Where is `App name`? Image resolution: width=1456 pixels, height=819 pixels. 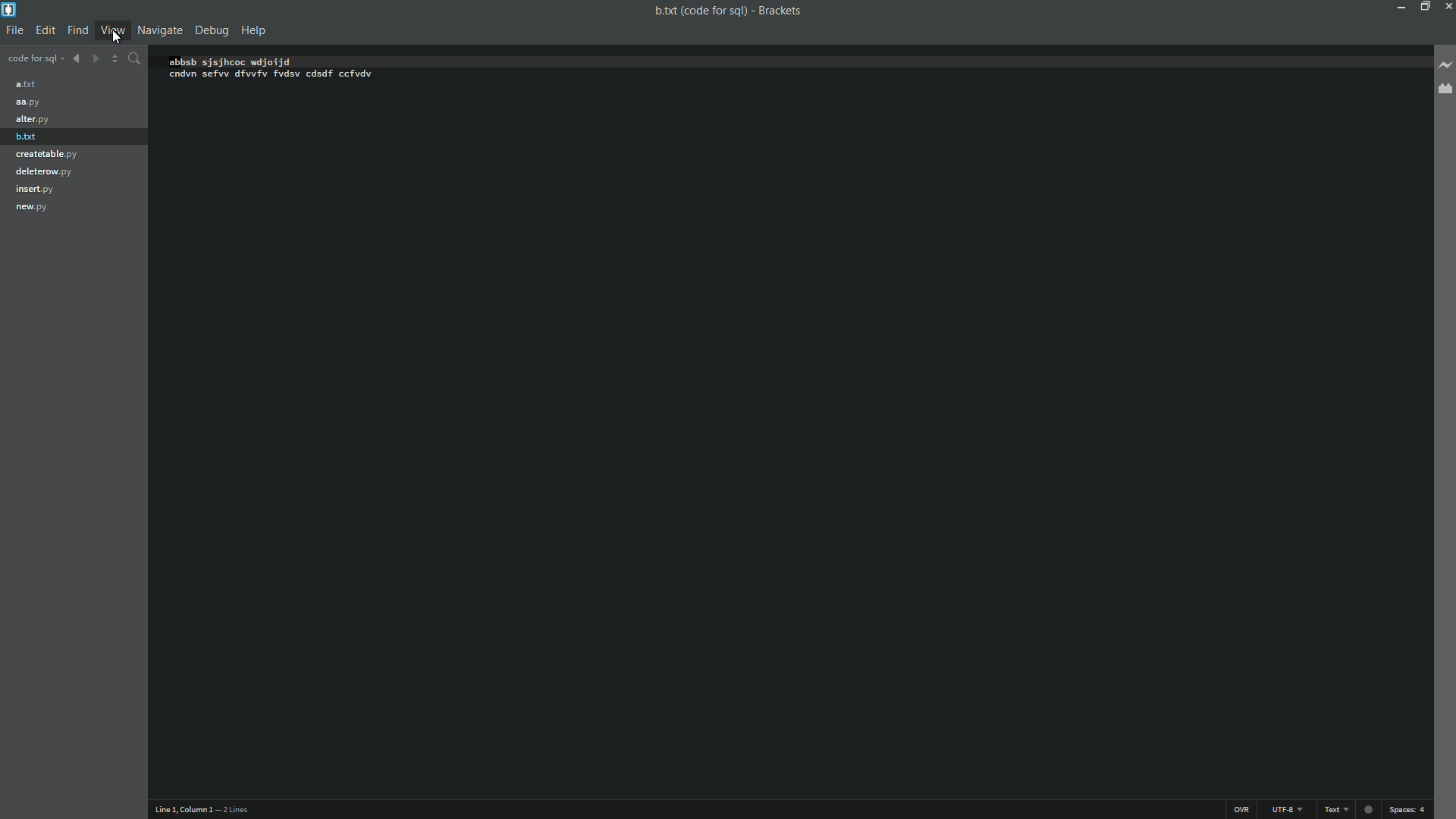
App name is located at coordinates (779, 9).